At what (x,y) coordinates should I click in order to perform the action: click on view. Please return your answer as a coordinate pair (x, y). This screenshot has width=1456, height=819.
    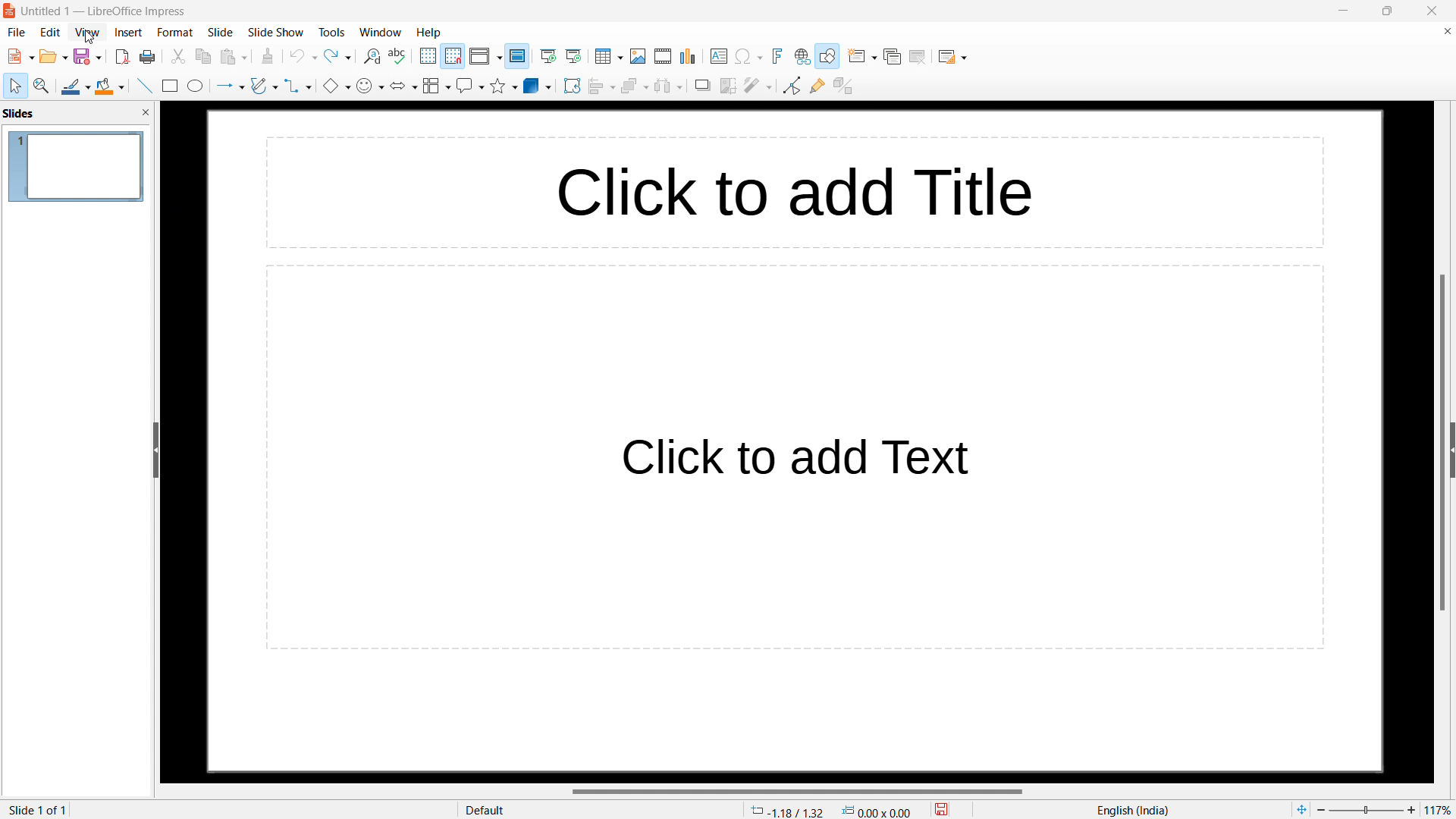
    Looking at the image, I should click on (87, 33).